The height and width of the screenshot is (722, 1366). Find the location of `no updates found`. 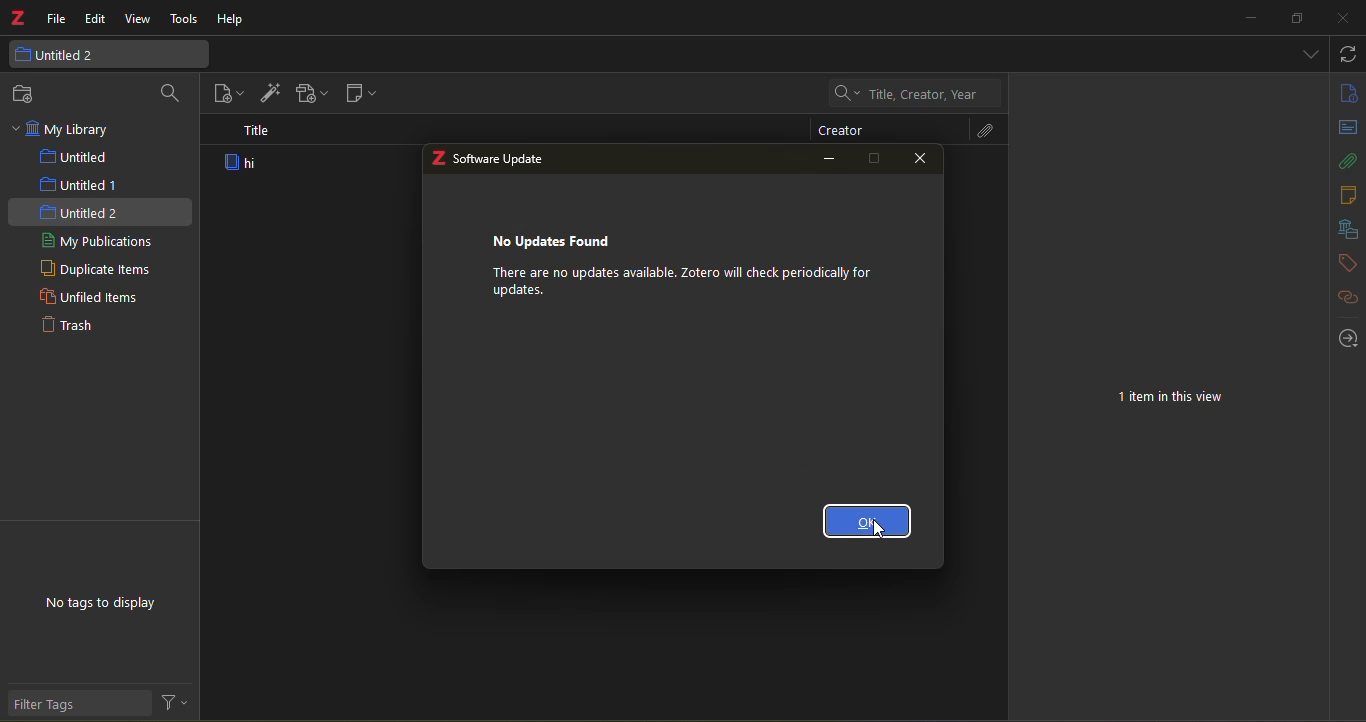

no updates found is located at coordinates (556, 240).